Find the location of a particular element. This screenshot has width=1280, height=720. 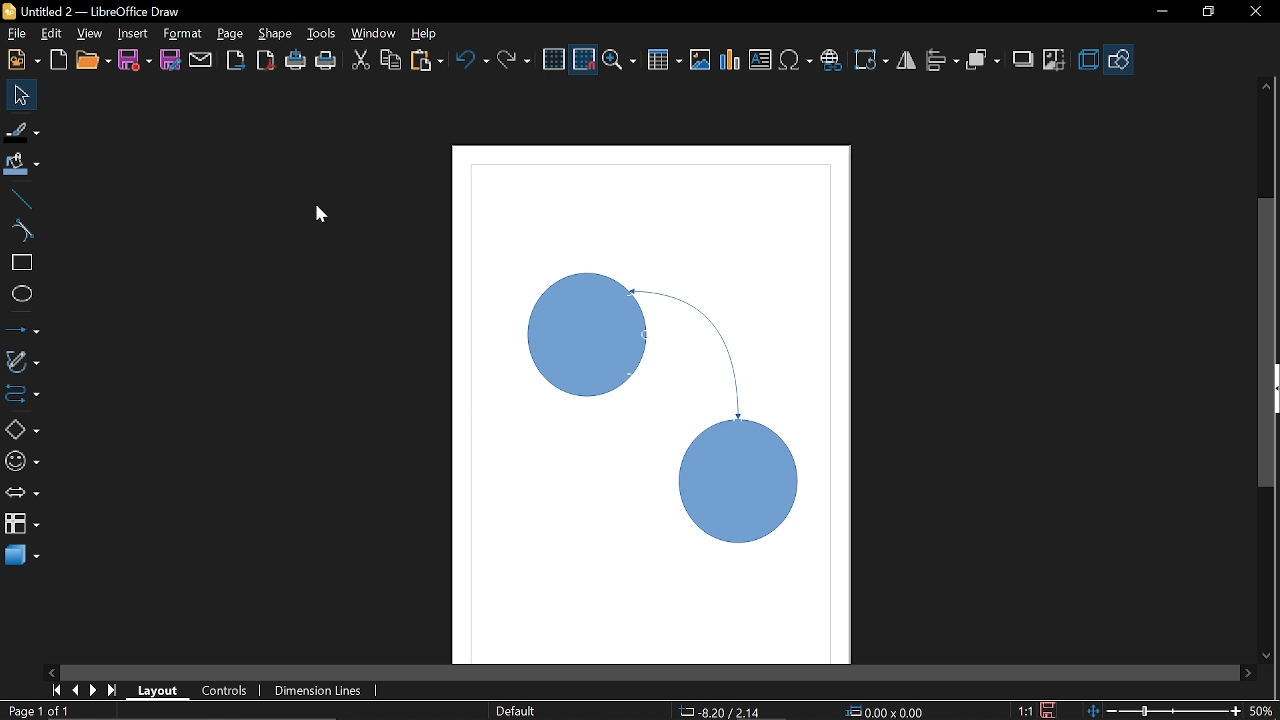

Redo is located at coordinates (514, 57).